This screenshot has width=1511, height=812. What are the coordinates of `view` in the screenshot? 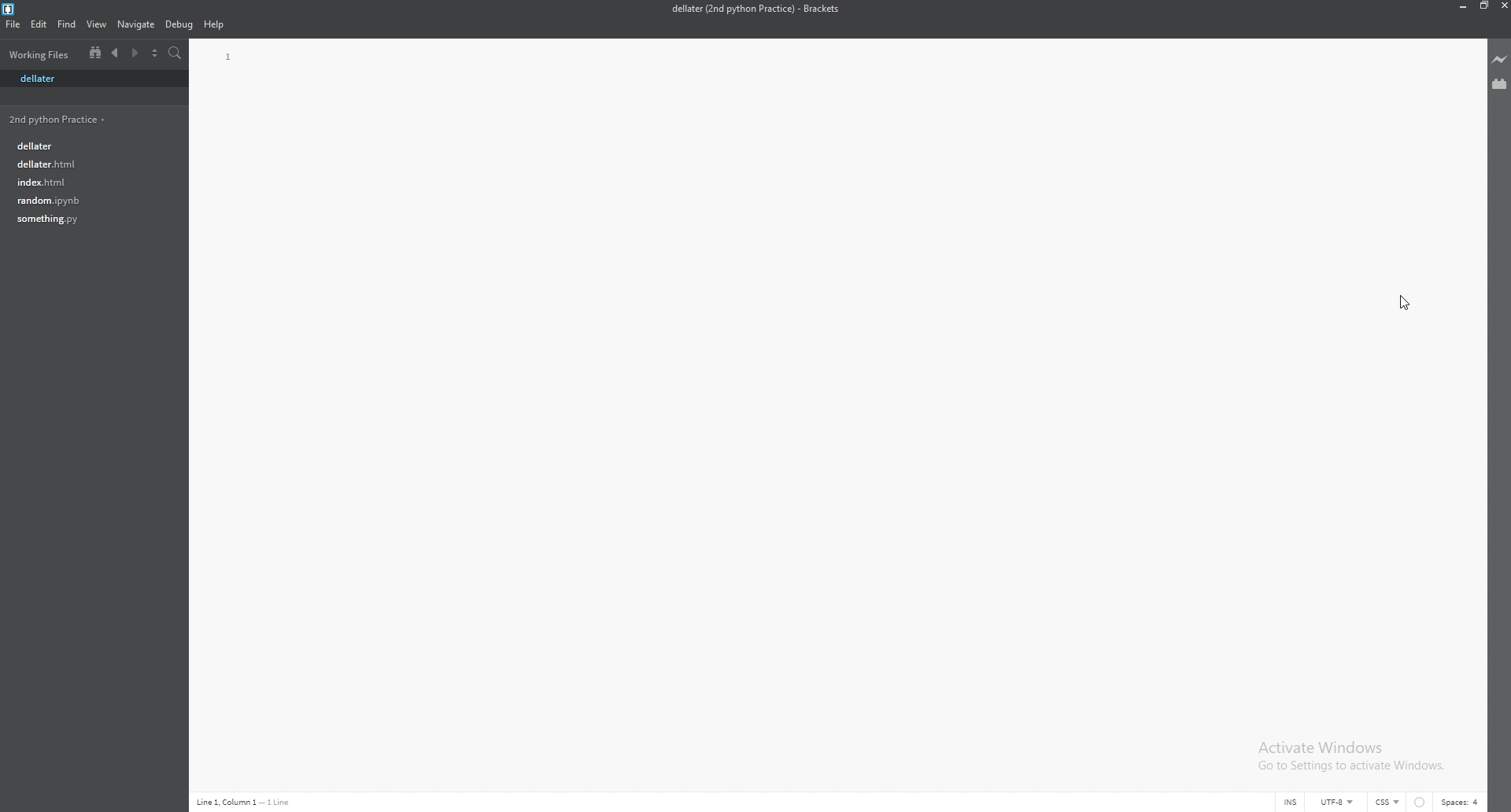 It's located at (98, 24).